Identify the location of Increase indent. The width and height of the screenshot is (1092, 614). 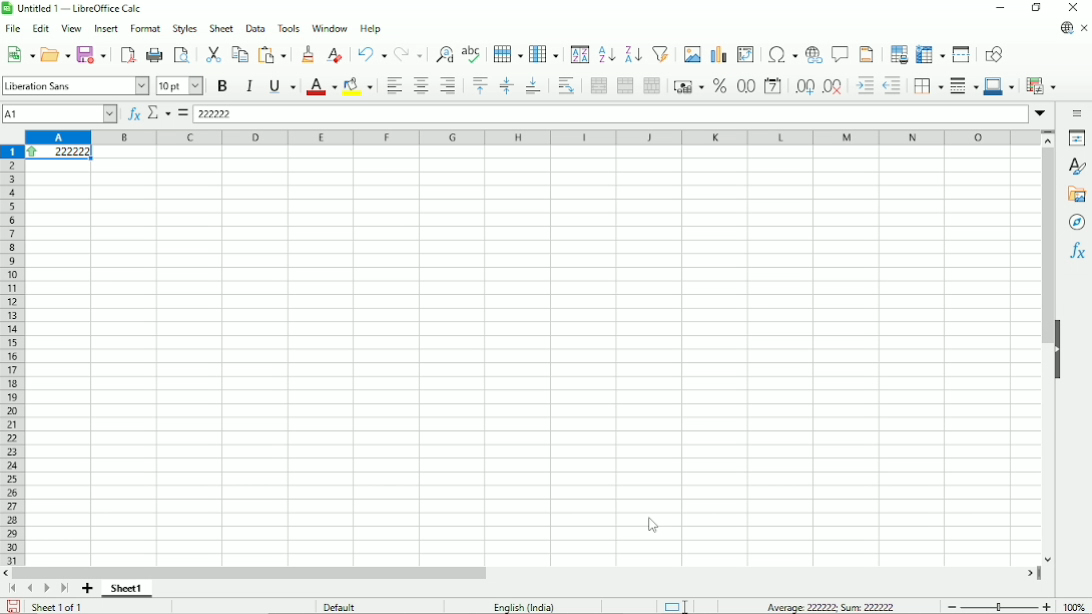
(864, 86).